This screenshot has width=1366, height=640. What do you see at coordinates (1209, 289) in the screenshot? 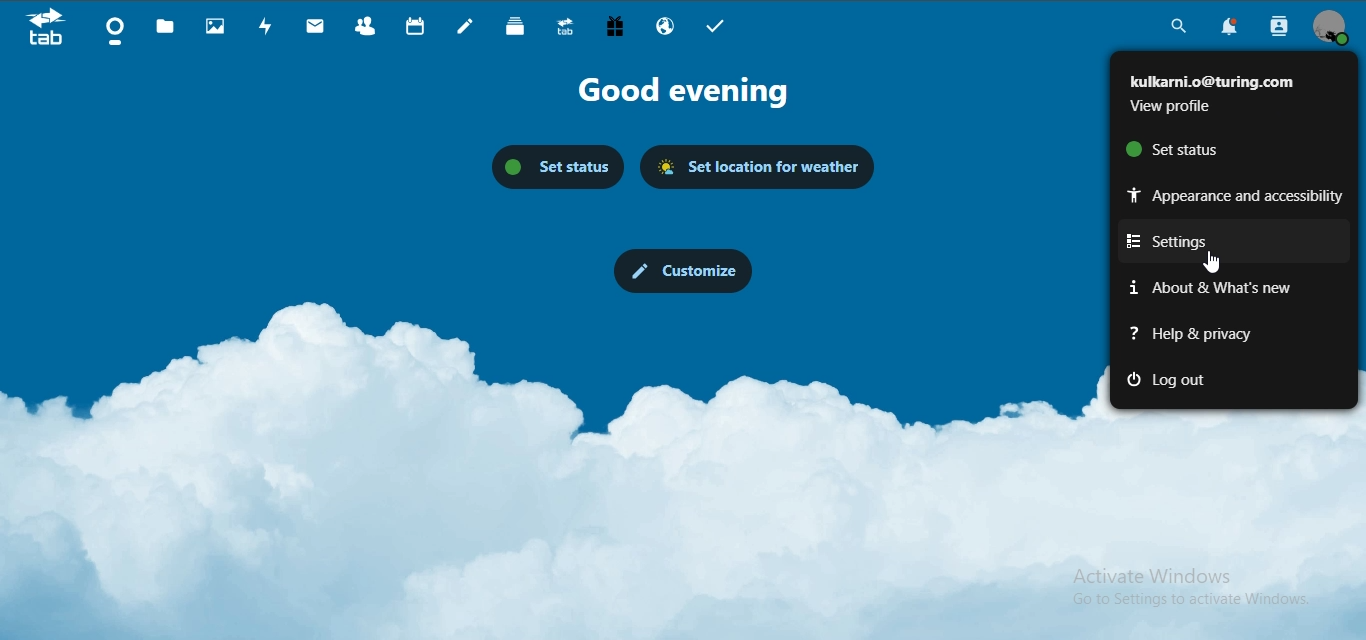
I see `about & what's new` at bounding box center [1209, 289].